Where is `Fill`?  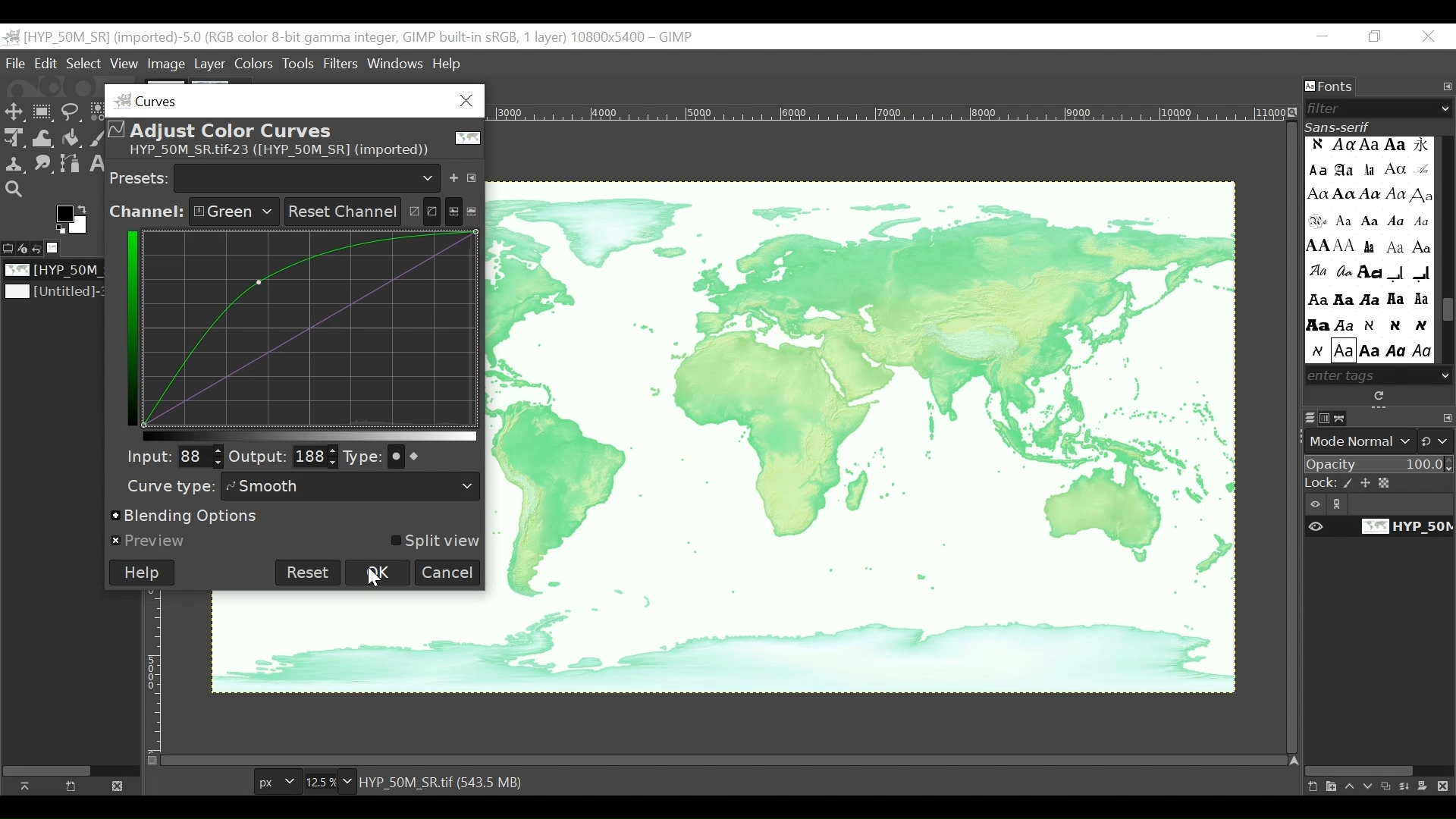 Fill is located at coordinates (70, 140).